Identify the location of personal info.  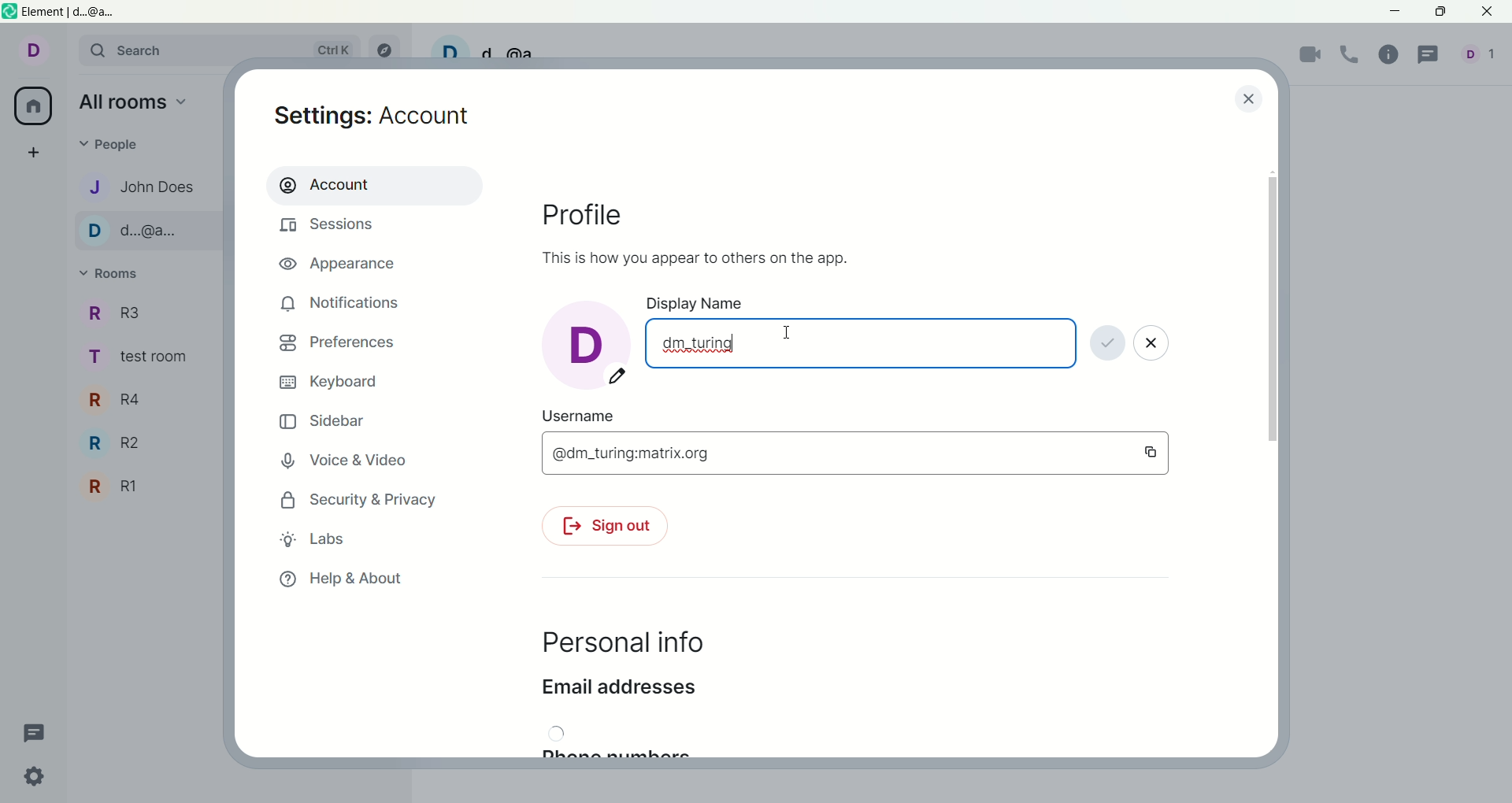
(621, 644).